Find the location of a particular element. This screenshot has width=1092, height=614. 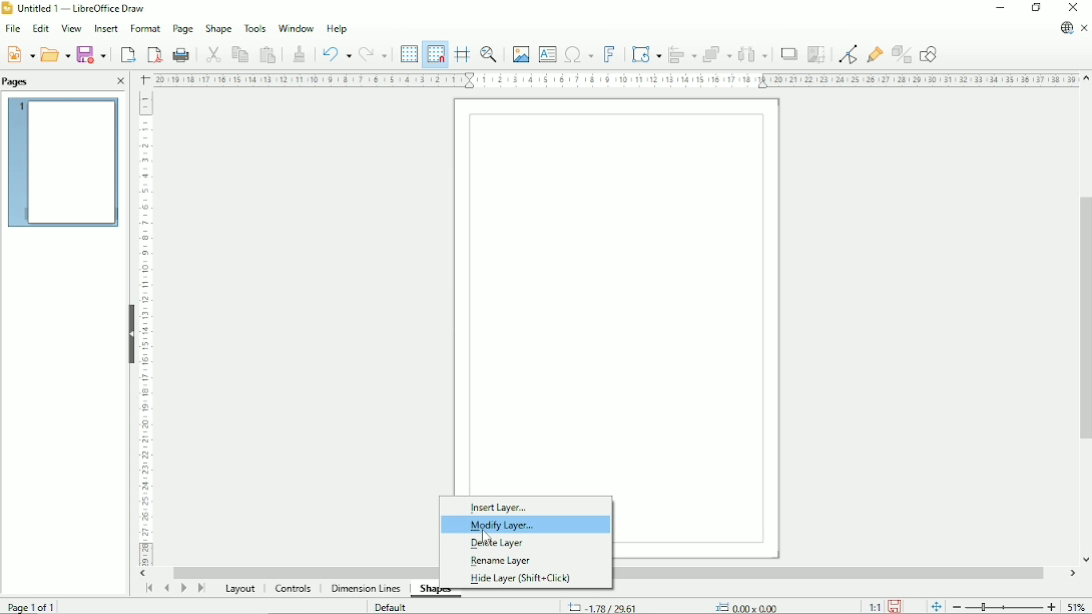

Horizontal scroll button is located at coordinates (142, 574).